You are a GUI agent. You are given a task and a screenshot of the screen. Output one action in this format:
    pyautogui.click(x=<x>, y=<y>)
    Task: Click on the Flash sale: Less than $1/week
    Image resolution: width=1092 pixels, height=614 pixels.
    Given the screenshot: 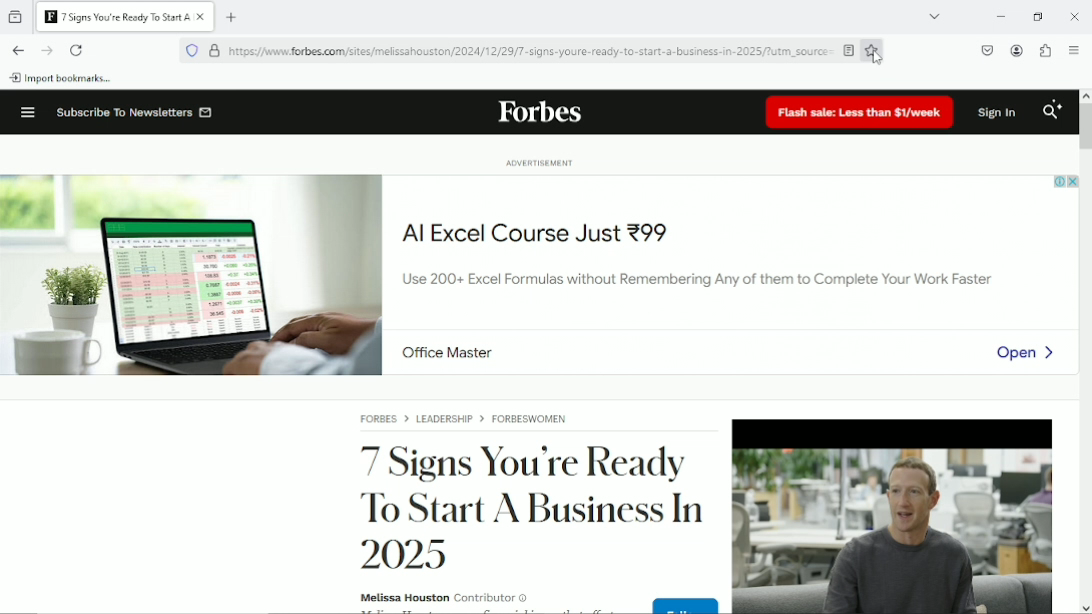 What is the action you would take?
    pyautogui.click(x=859, y=113)
    